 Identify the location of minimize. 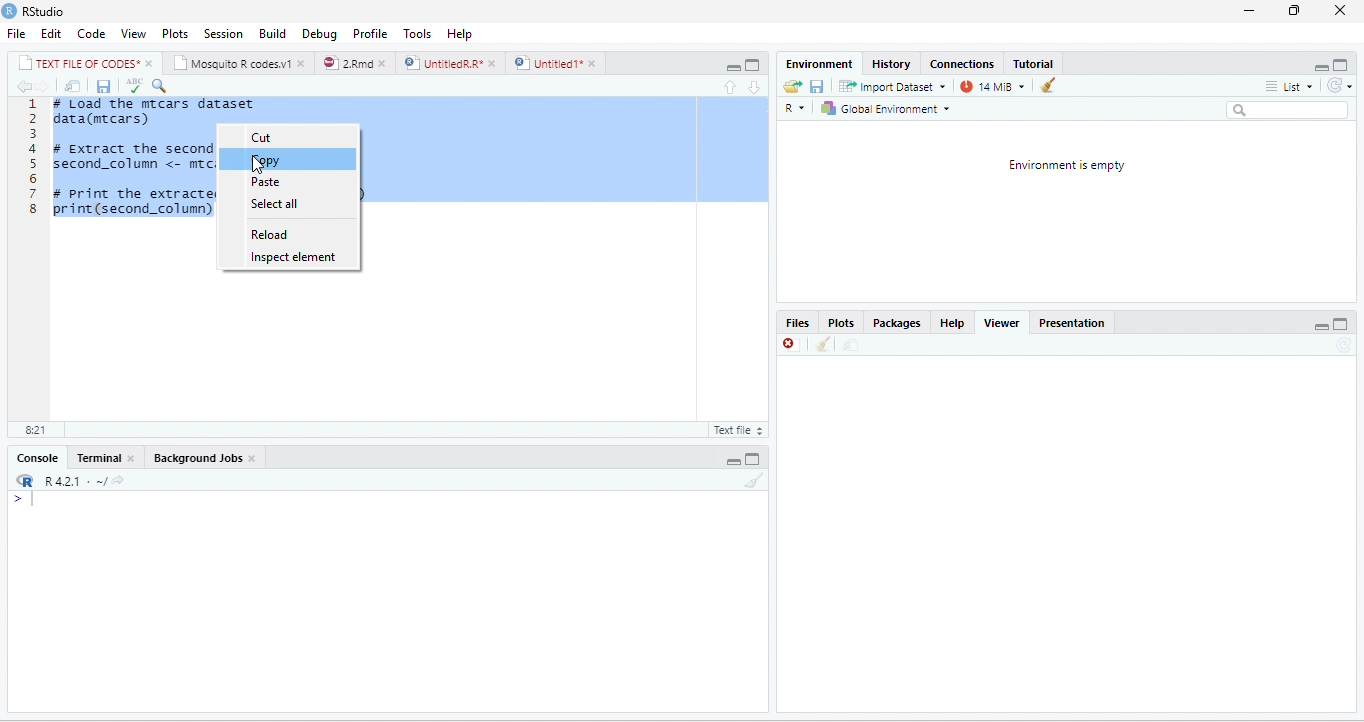
(1250, 13).